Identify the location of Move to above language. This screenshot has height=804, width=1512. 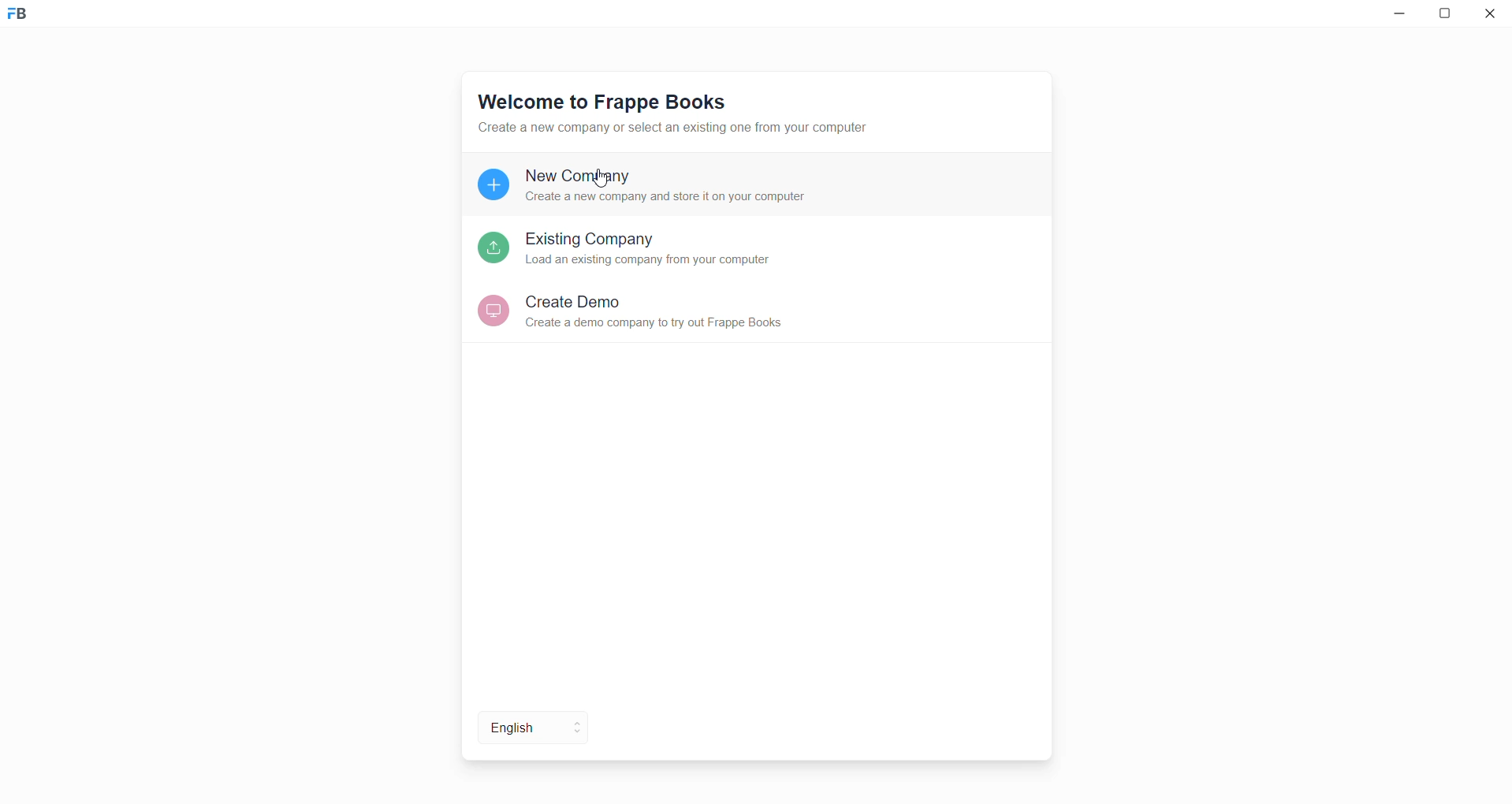
(578, 720).